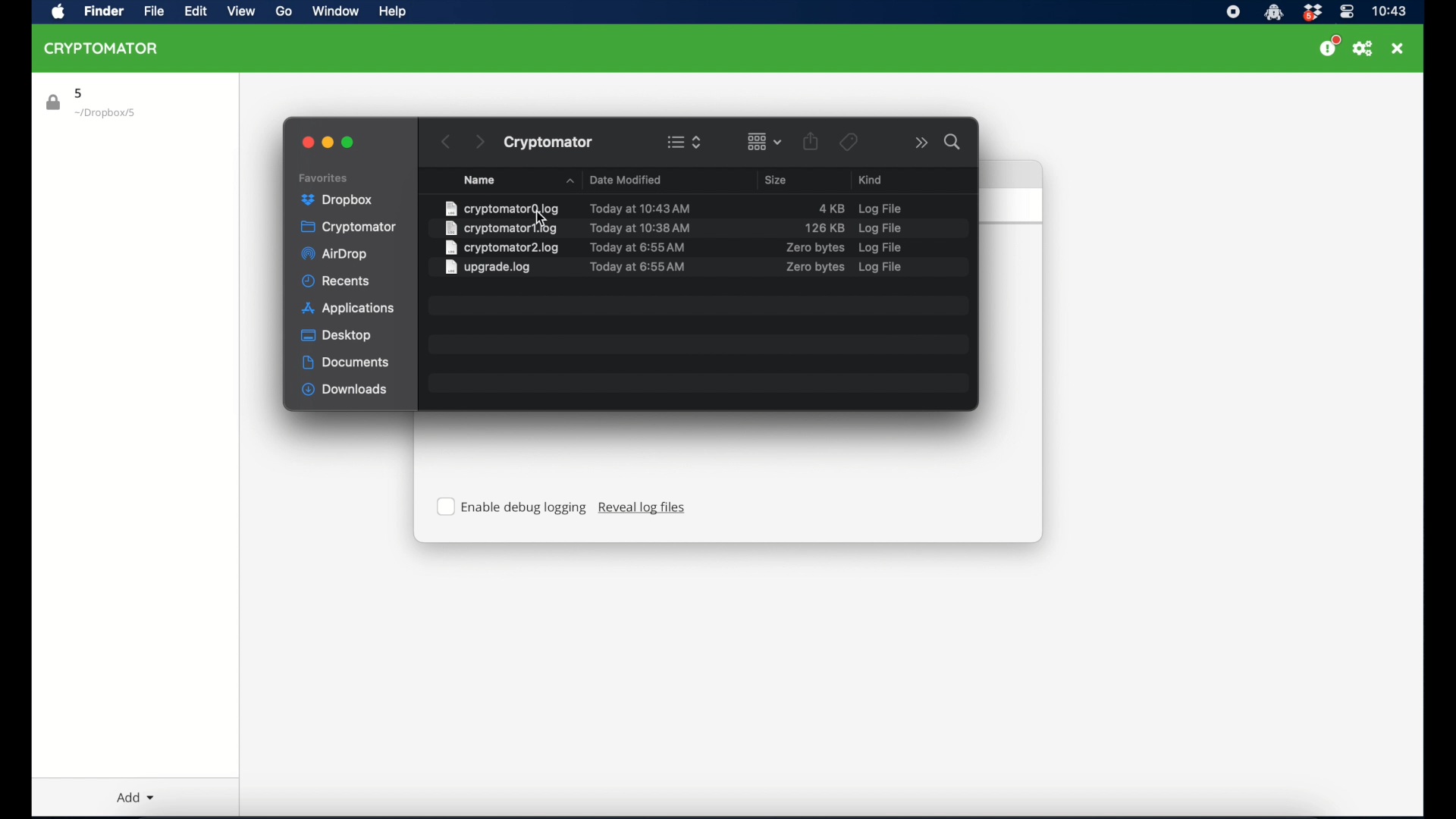 The image size is (1456, 819). Describe the element at coordinates (306, 143) in the screenshot. I see `close` at that location.